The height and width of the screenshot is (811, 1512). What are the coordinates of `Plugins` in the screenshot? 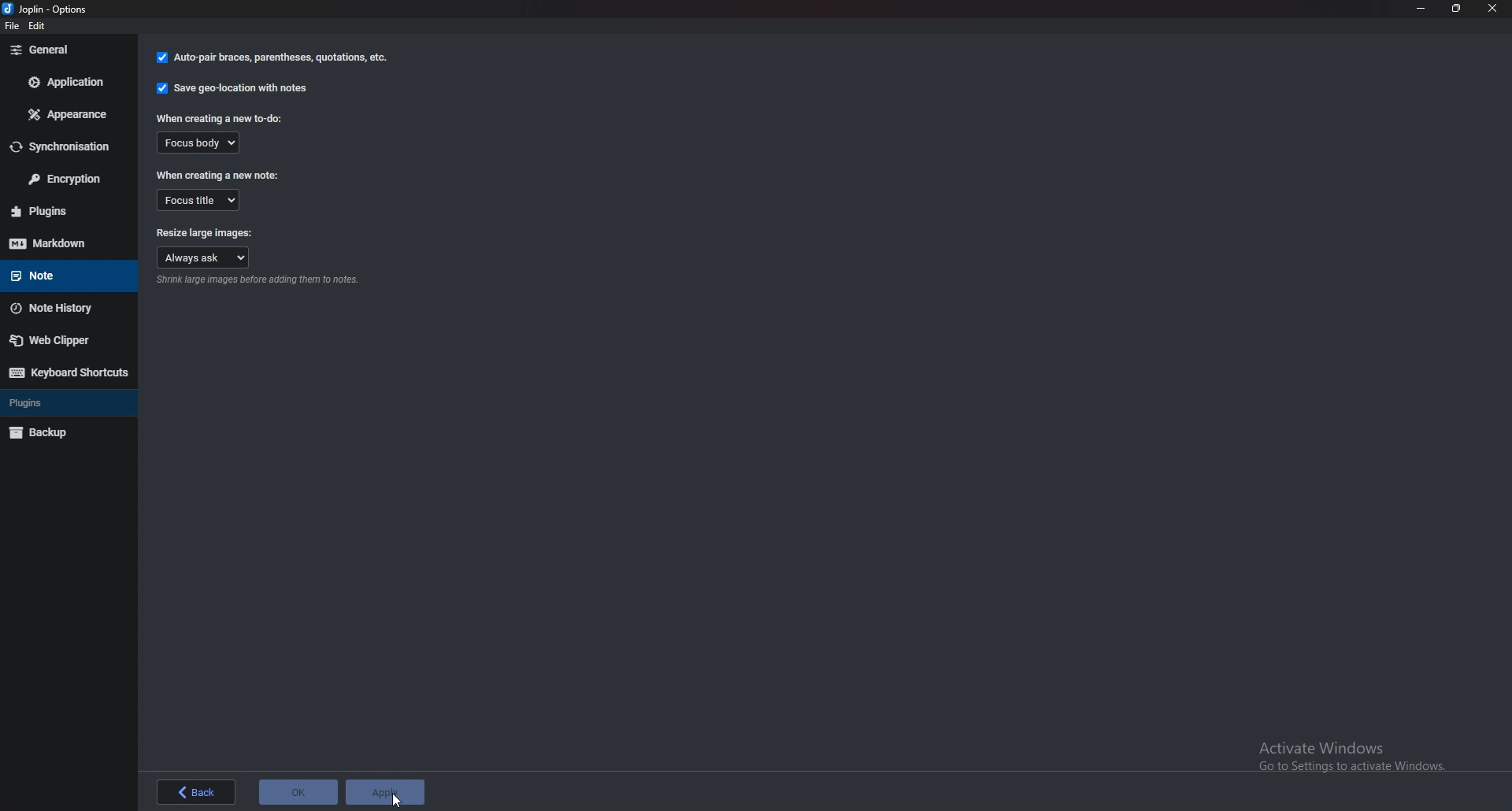 It's located at (66, 211).